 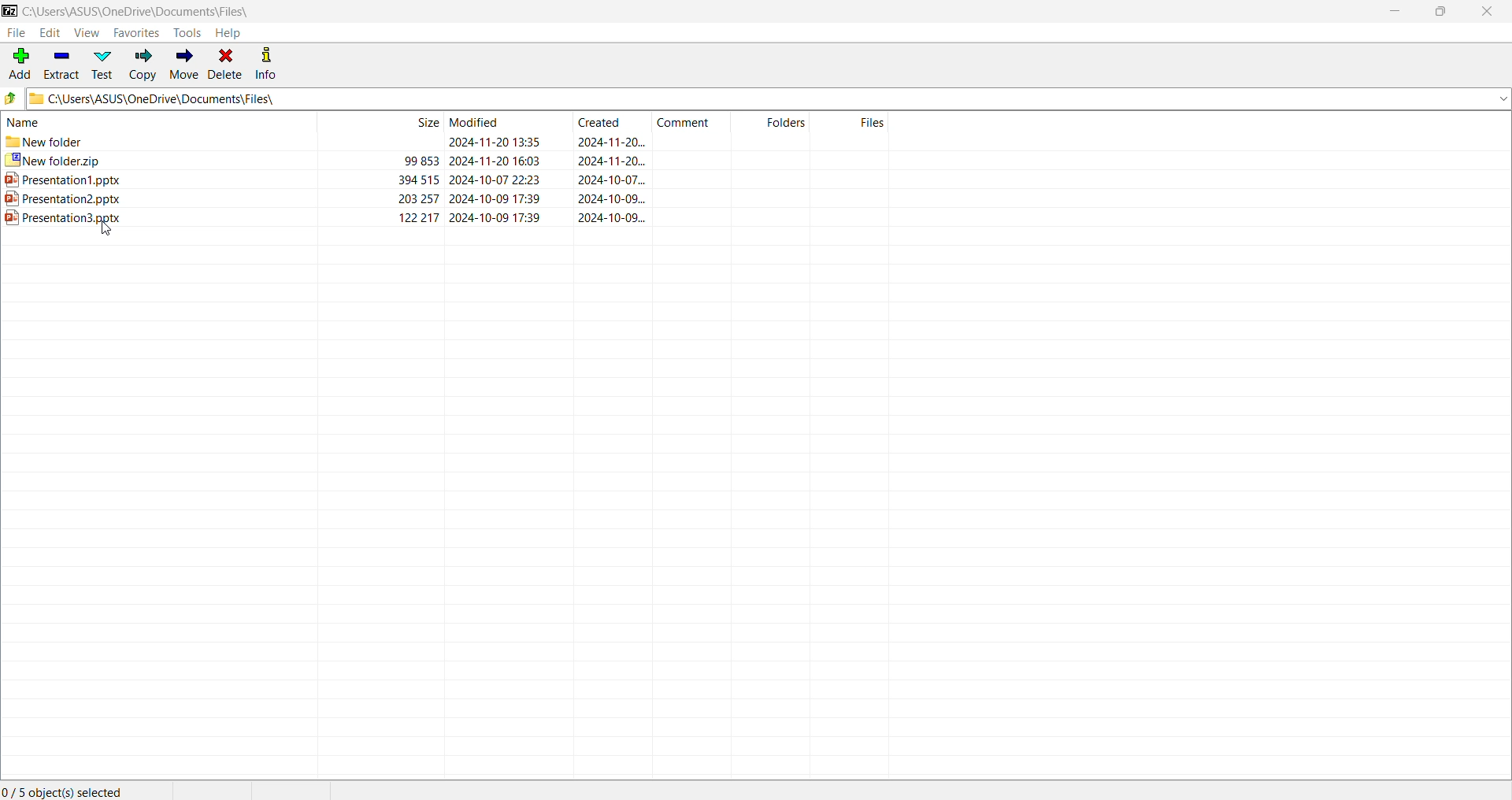 What do you see at coordinates (502, 122) in the screenshot?
I see `Files Modified Date` at bounding box center [502, 122].